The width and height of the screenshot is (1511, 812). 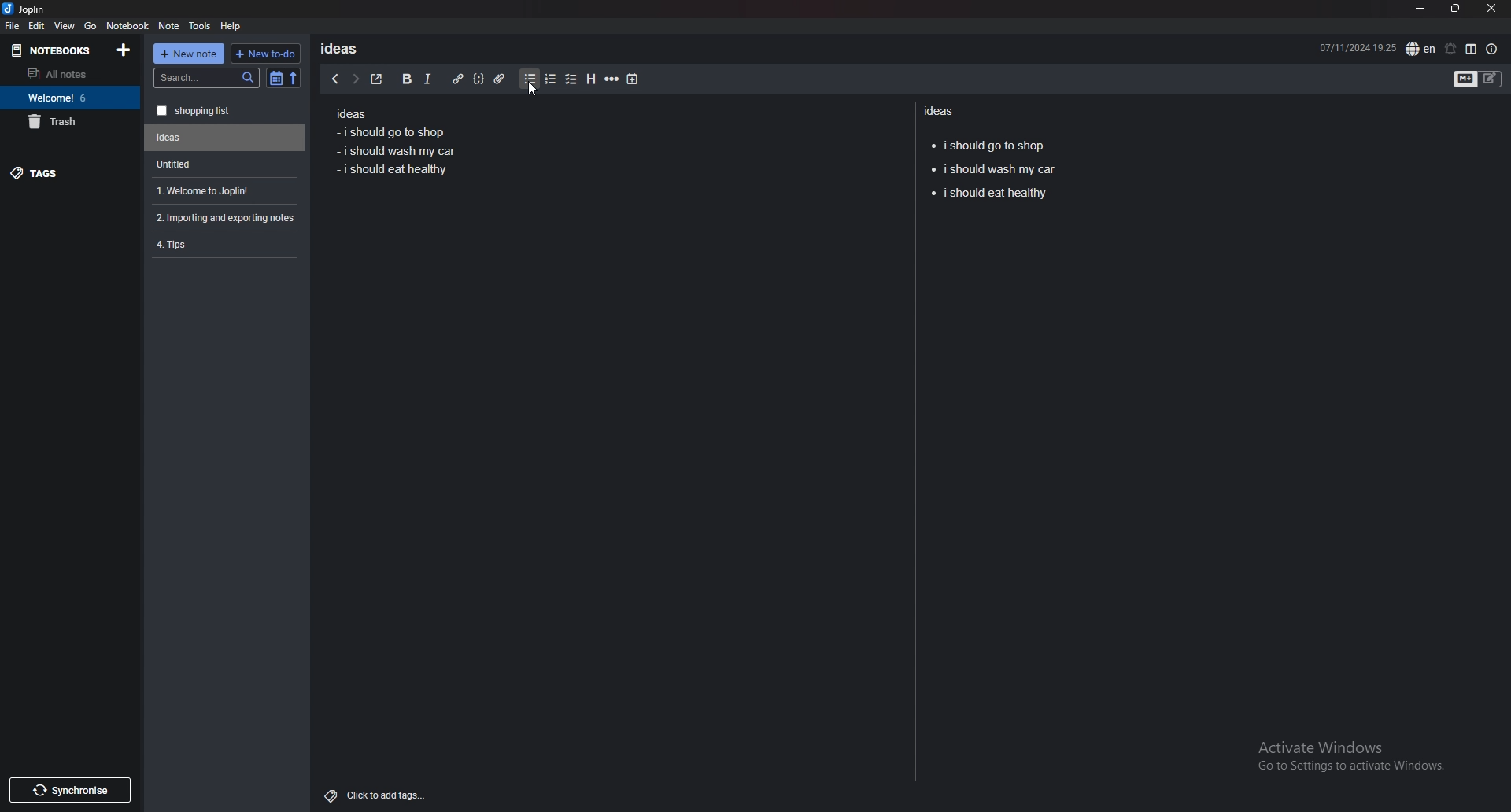 I want to click on help, so click(x=231, y=25).